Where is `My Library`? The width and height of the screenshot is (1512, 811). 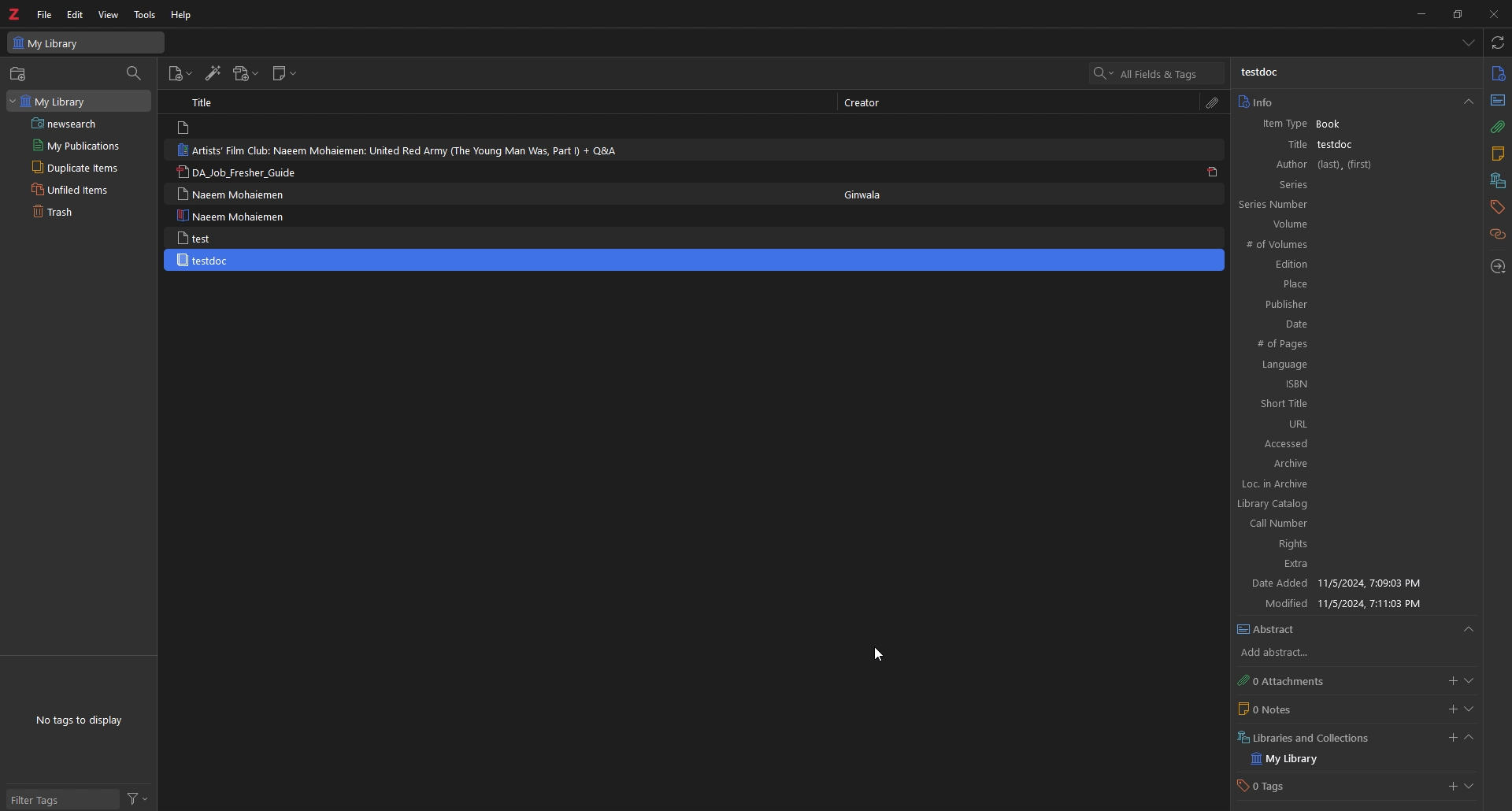
My Library is located at coordinates (86, 42).